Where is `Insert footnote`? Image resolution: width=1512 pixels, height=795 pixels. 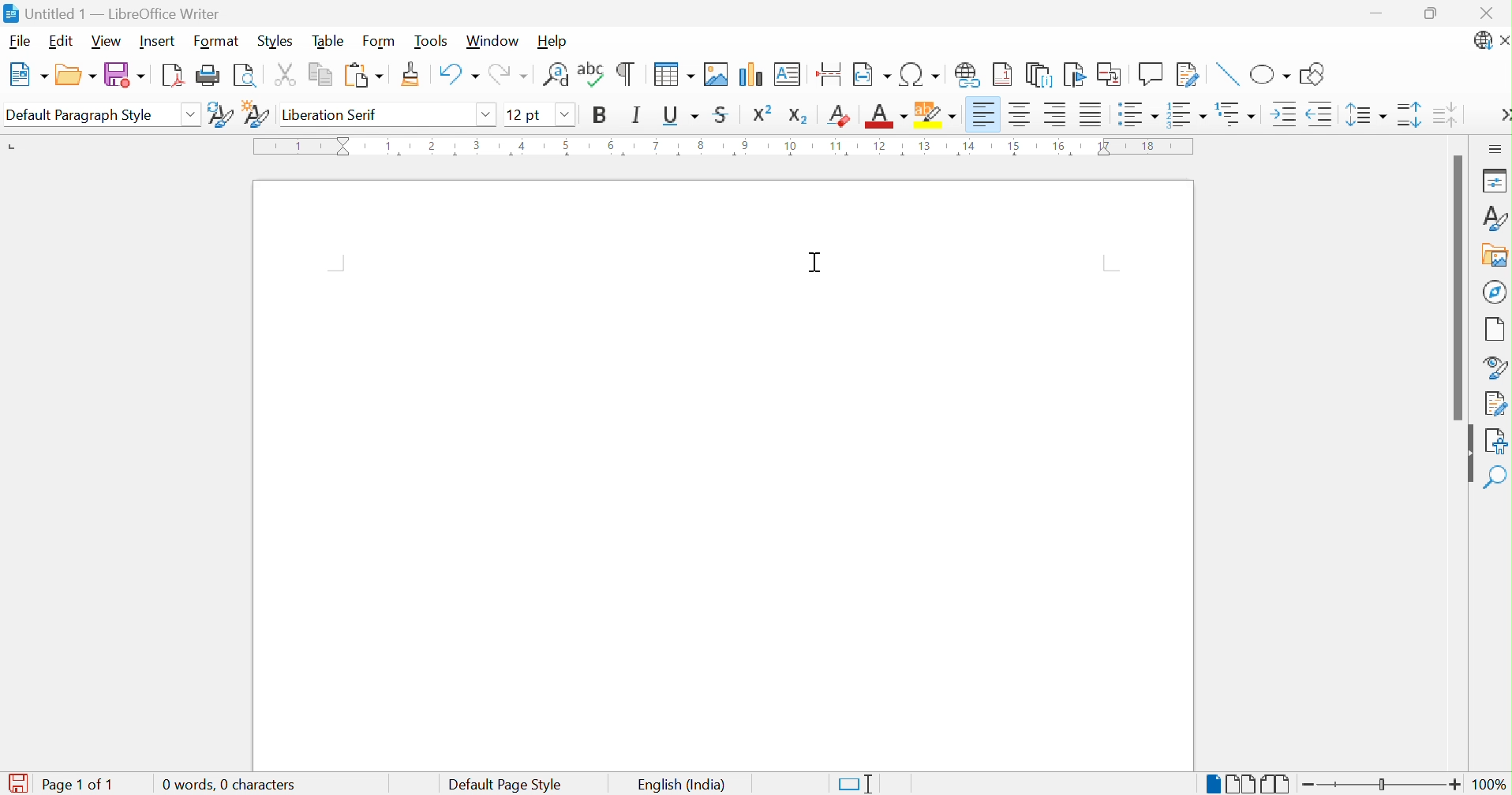
Insert footnote is located at coordinates (1005, 73).